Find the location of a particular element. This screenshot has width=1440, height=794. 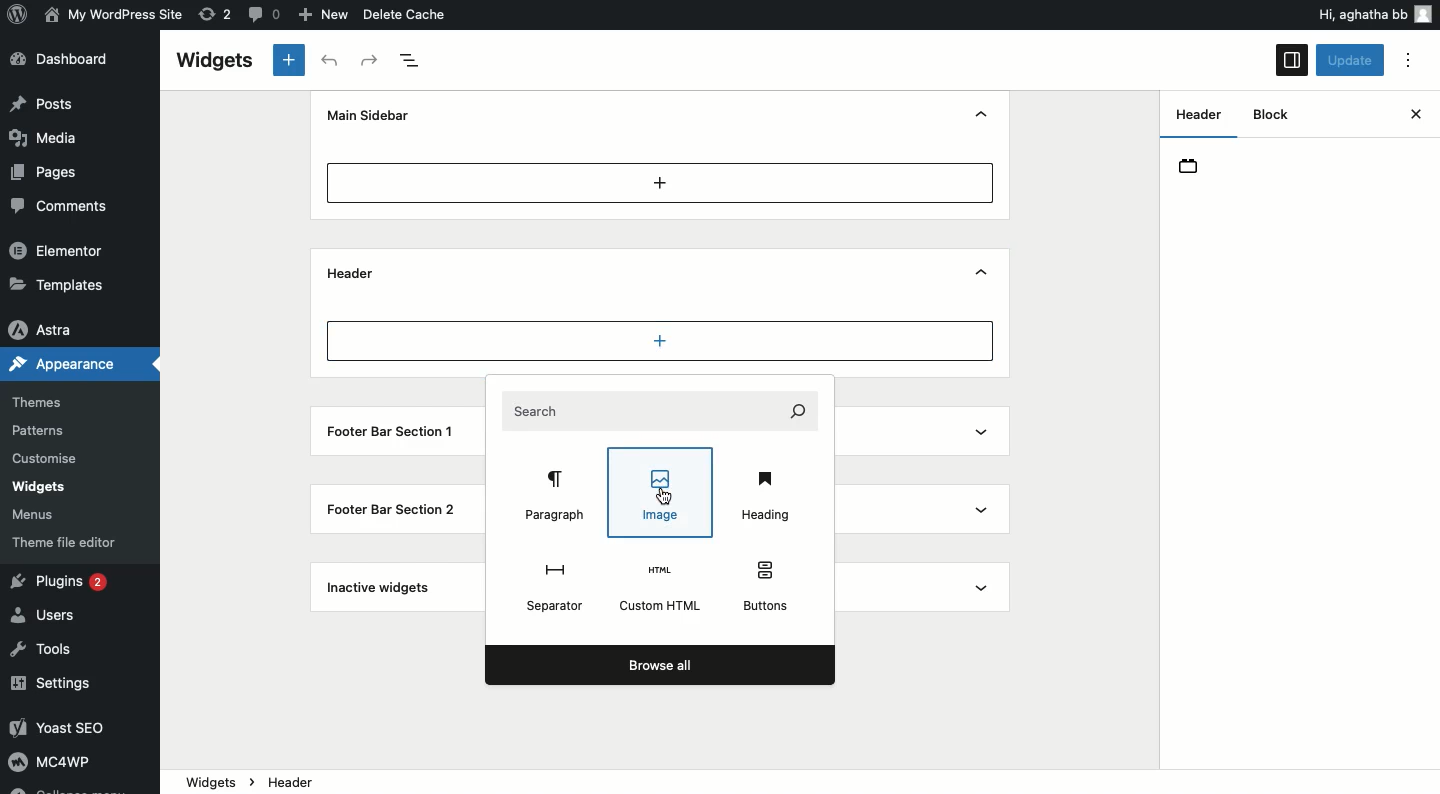

Inactive widgets is located at coordinates (395, 589).